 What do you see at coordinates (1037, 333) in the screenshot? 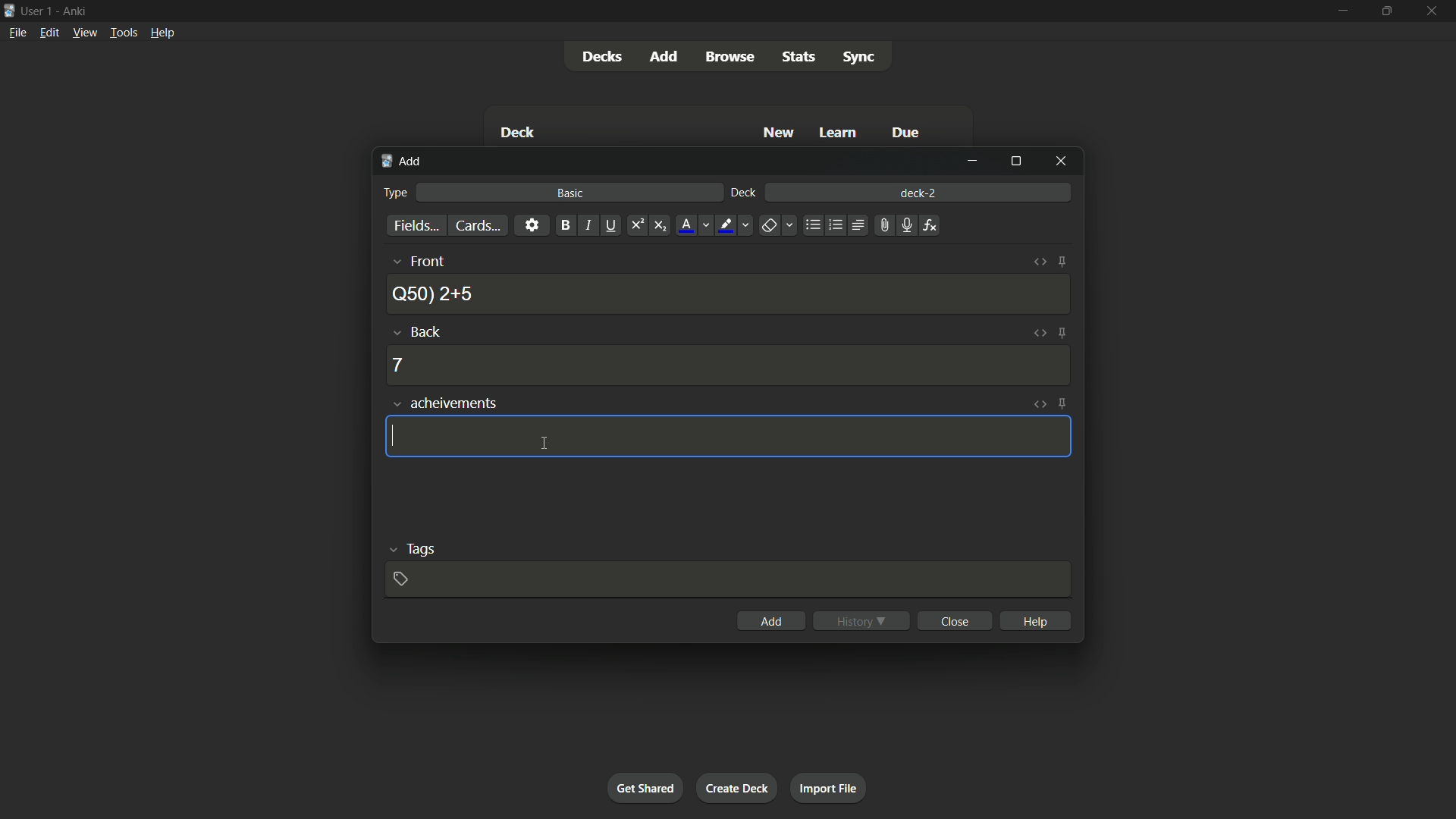
I see `toggle html editor` at bounding box center [1037, 333].